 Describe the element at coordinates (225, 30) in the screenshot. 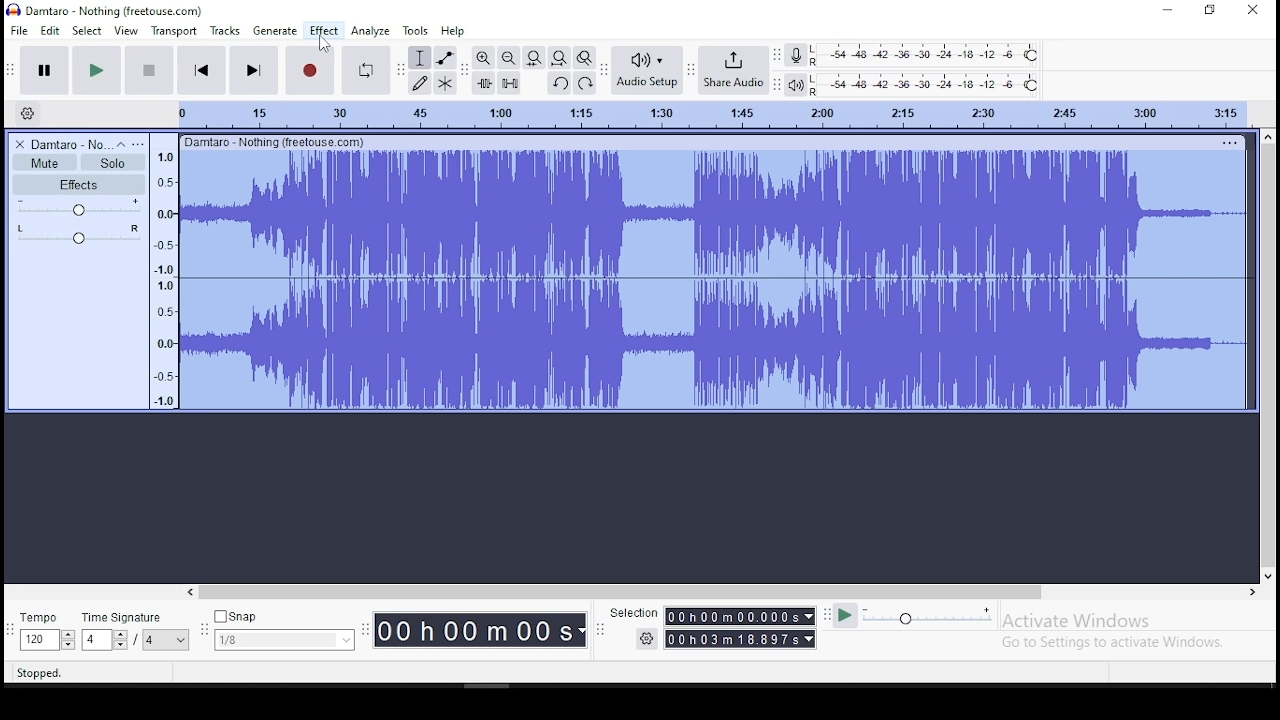

I see `tracks` at that location.